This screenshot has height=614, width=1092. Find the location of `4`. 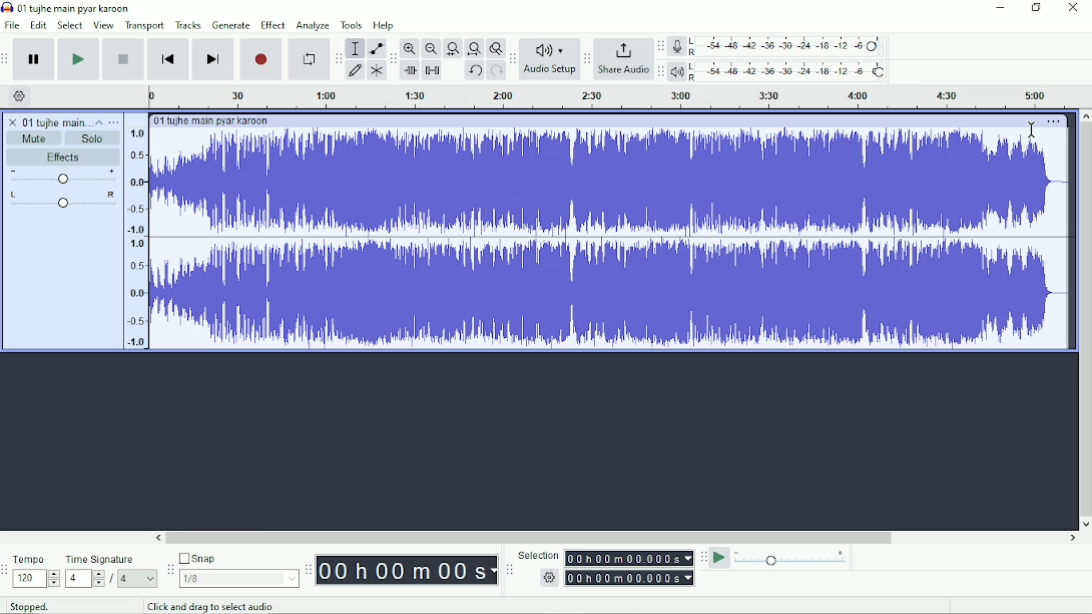

4 is located at coordinates (84, 580).